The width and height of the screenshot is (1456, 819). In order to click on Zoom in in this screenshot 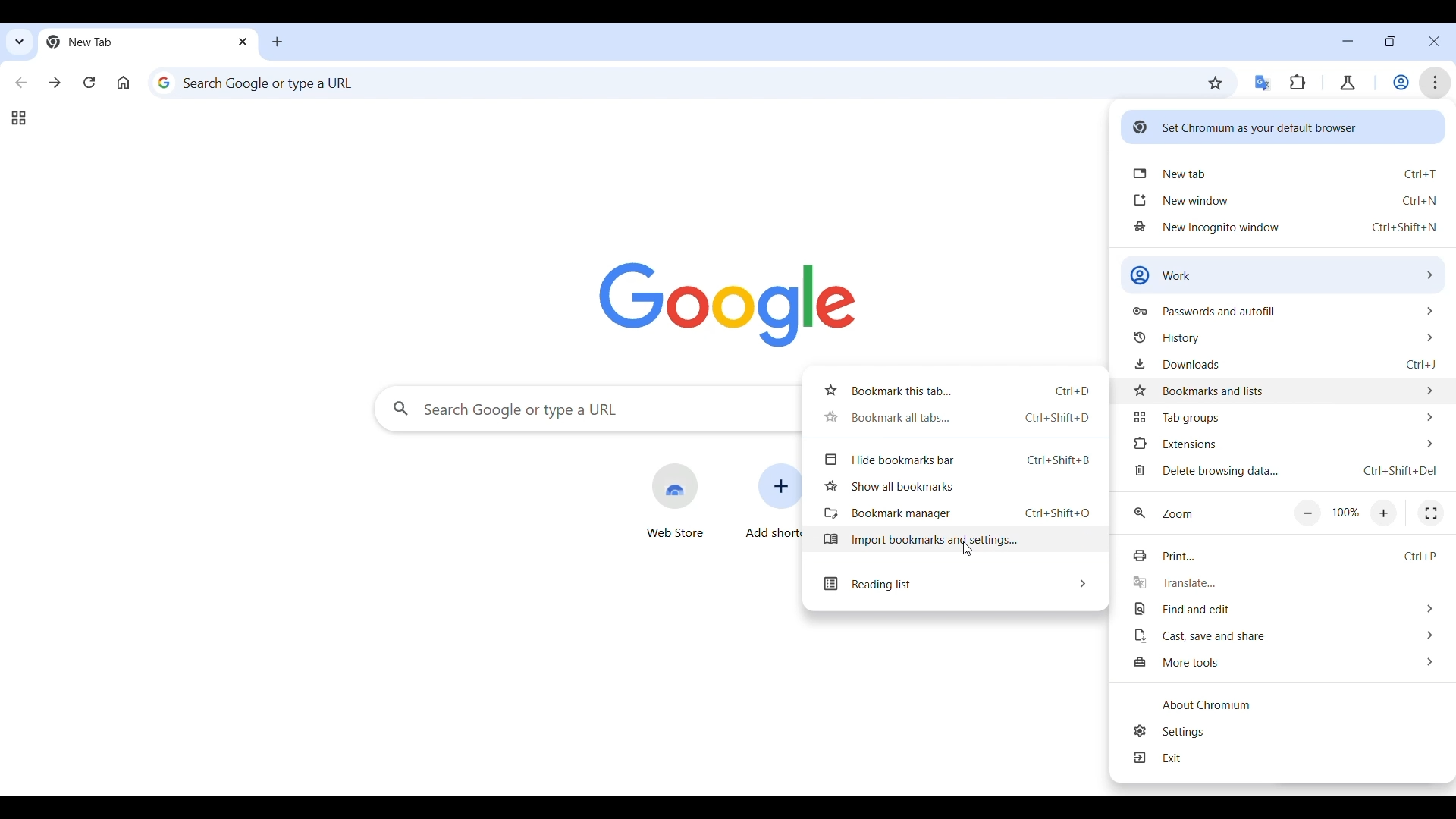, I will do `click(1384, 513)`.